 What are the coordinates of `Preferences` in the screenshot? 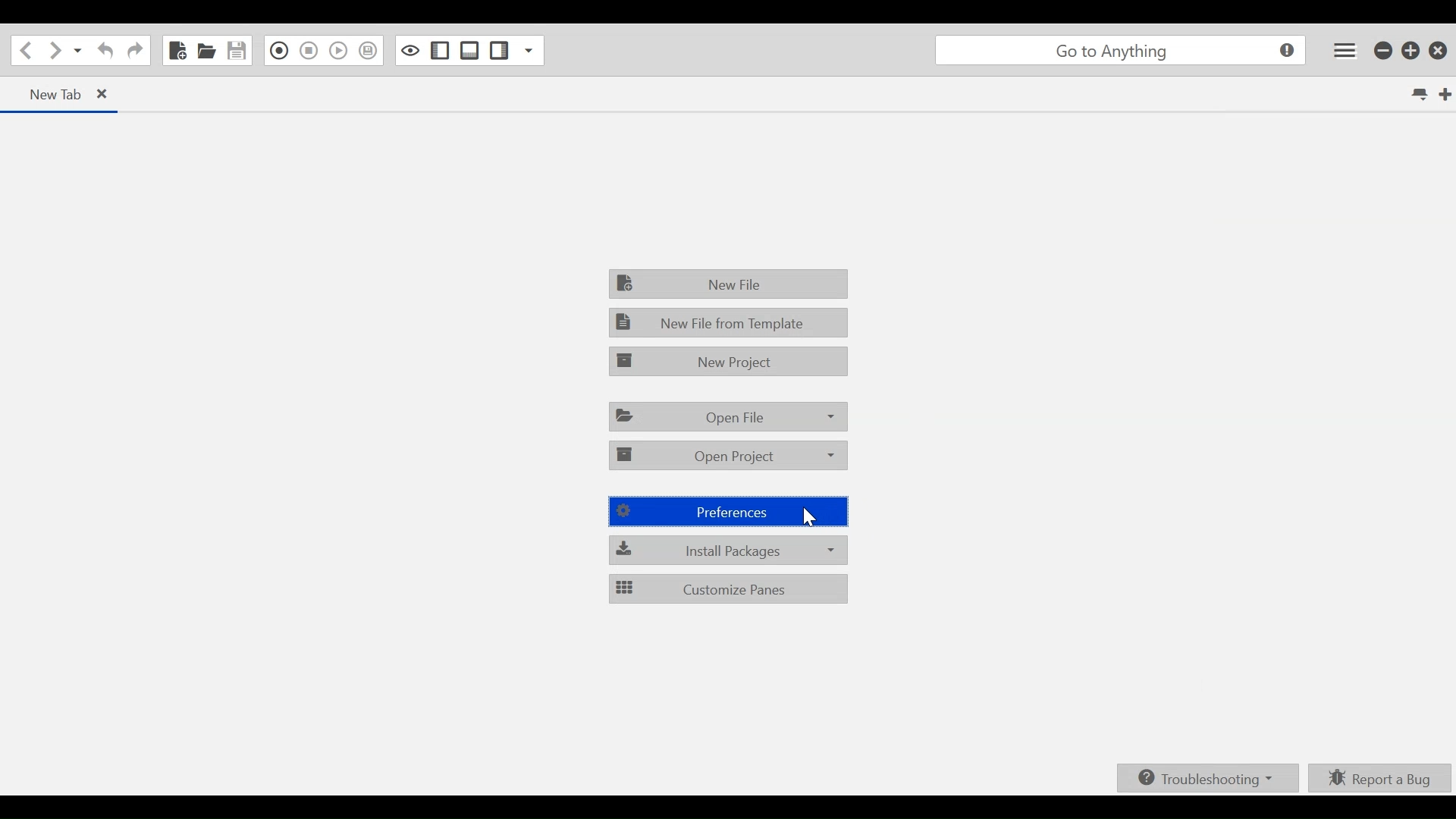 It's located at (730, 512).